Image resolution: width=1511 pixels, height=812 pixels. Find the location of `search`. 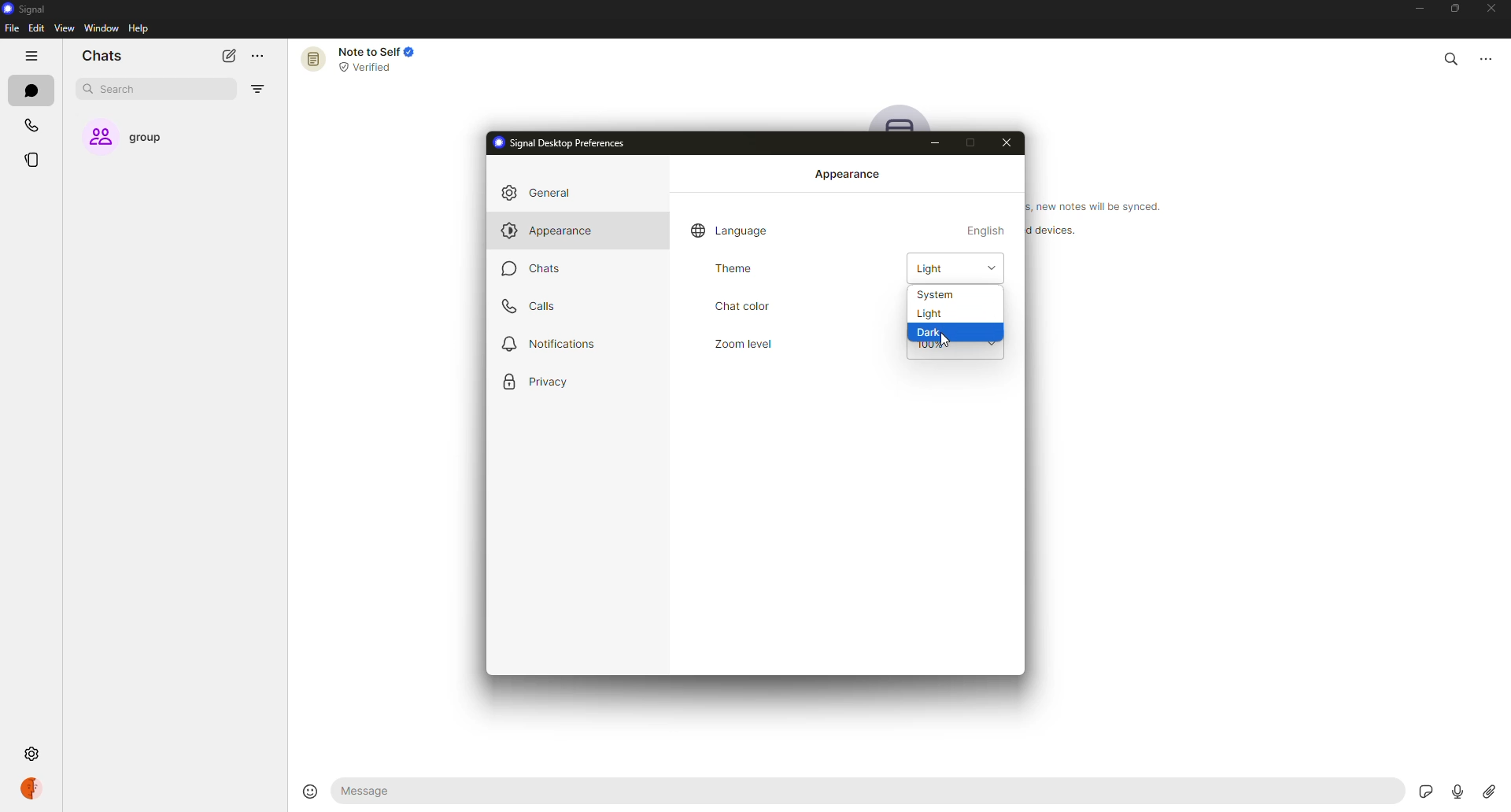

search is located at coordinates (1451, 56).